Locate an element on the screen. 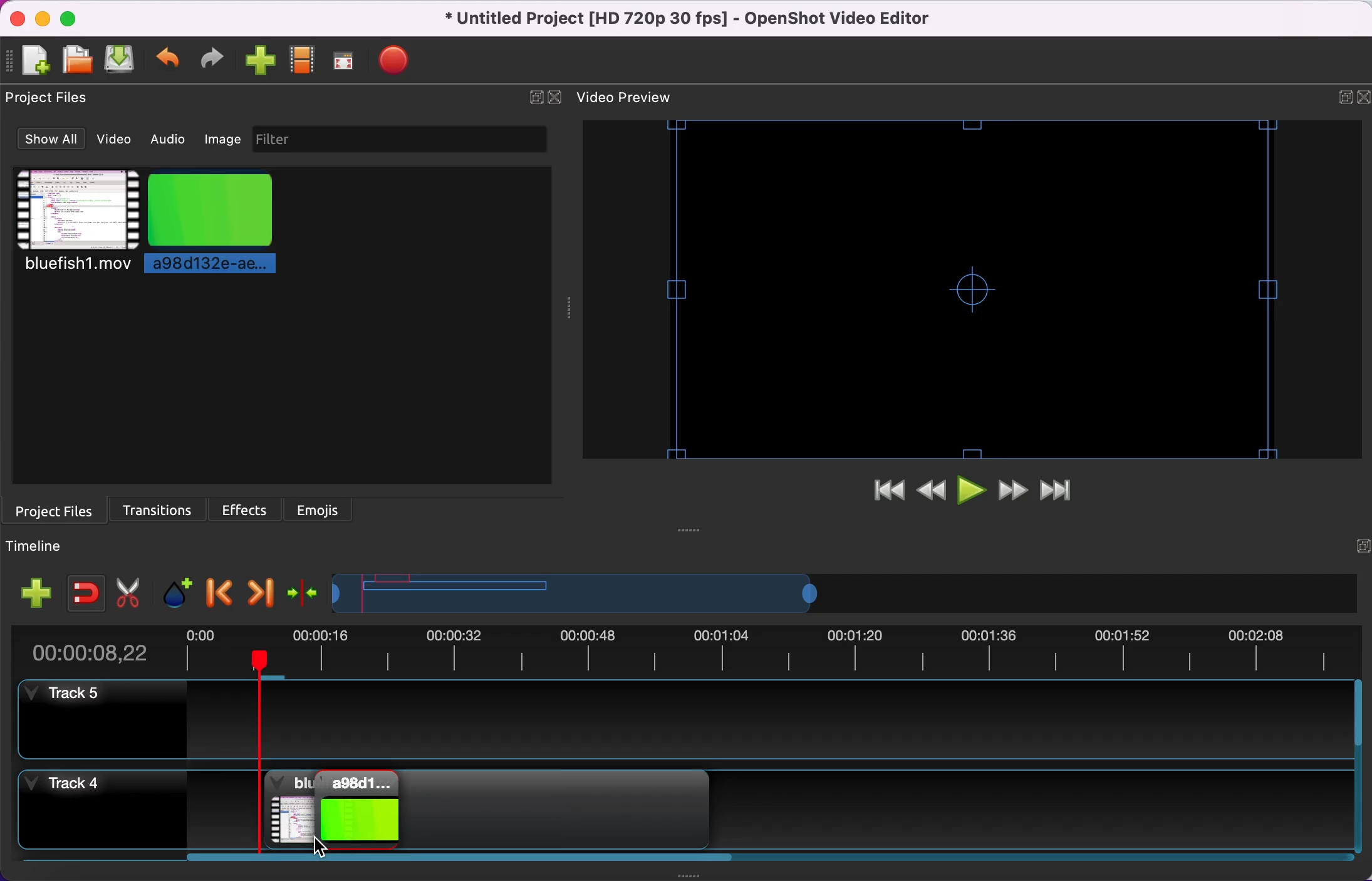 The width and height of the screenshot is (1372, 881). close is located at coordinates (1363, 98).